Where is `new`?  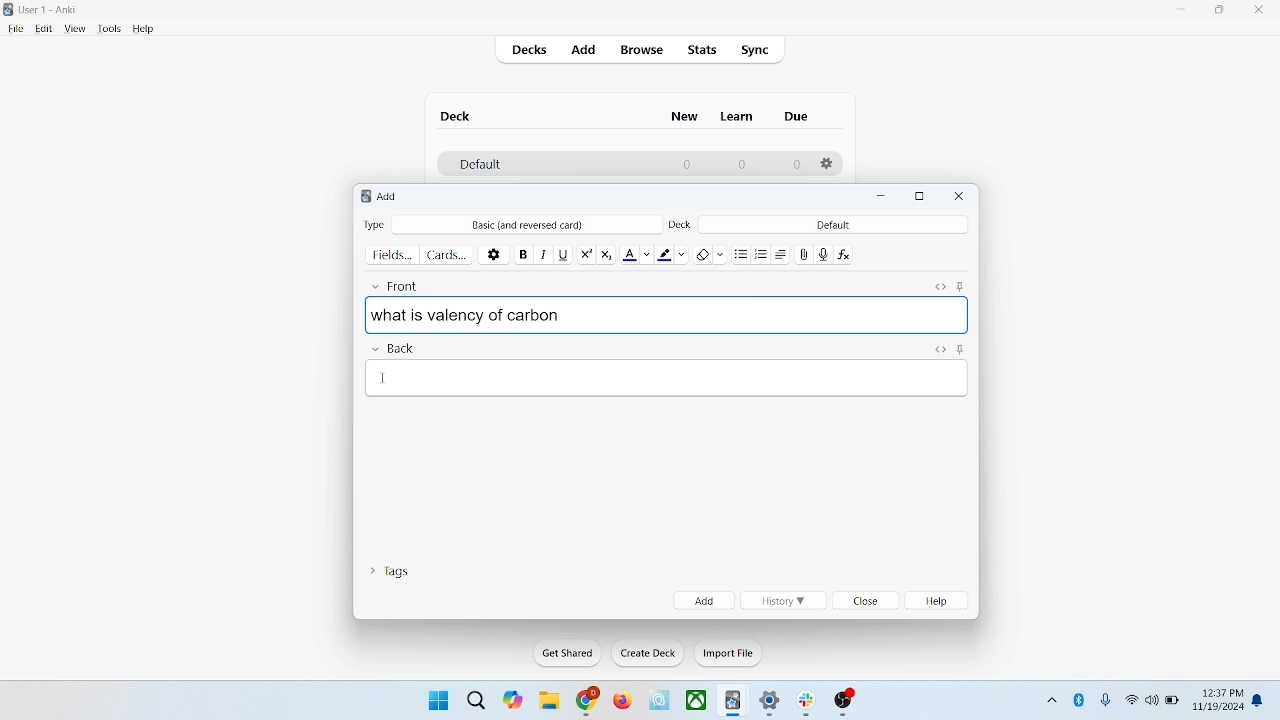 new is located at coordinates (685, 116).